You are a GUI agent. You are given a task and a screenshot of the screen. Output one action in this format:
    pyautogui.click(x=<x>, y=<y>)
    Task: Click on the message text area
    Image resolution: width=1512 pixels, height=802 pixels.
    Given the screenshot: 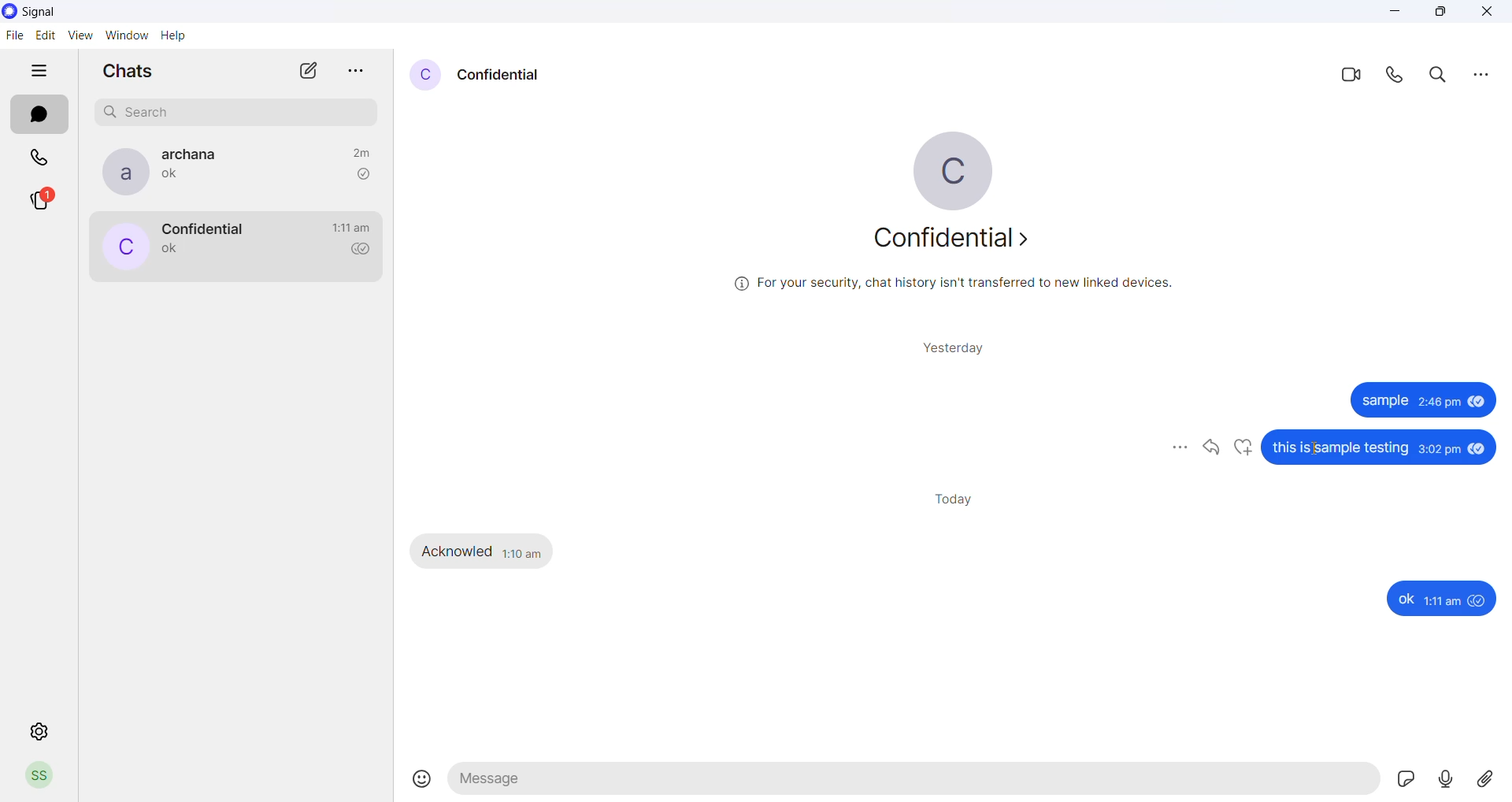 What is the action you would take?
    pyautogui.click(x=916, y=783)
    